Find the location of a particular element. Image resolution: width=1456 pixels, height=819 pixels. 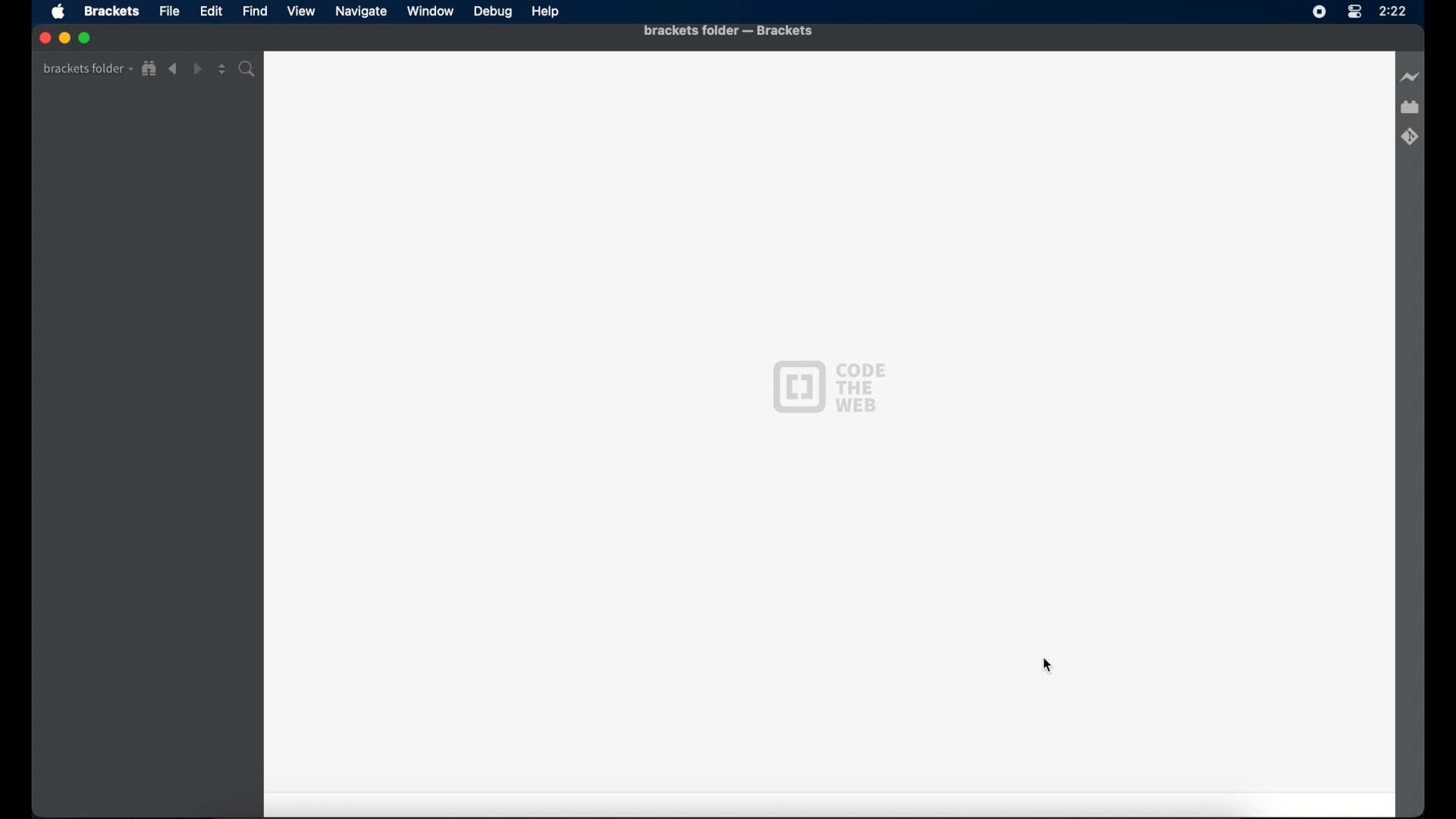

edit is located at coordinates (211, 11).